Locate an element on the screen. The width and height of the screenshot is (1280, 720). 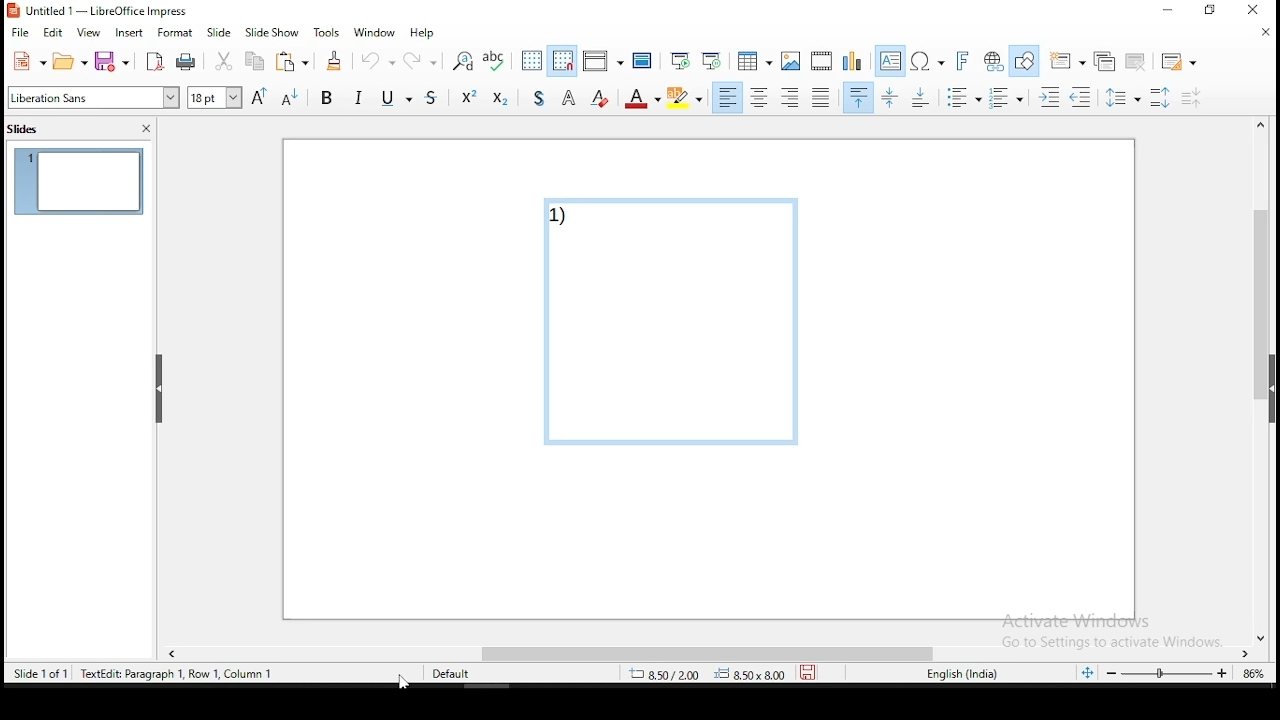
set line spacing is located at coordinates (1127, 100).